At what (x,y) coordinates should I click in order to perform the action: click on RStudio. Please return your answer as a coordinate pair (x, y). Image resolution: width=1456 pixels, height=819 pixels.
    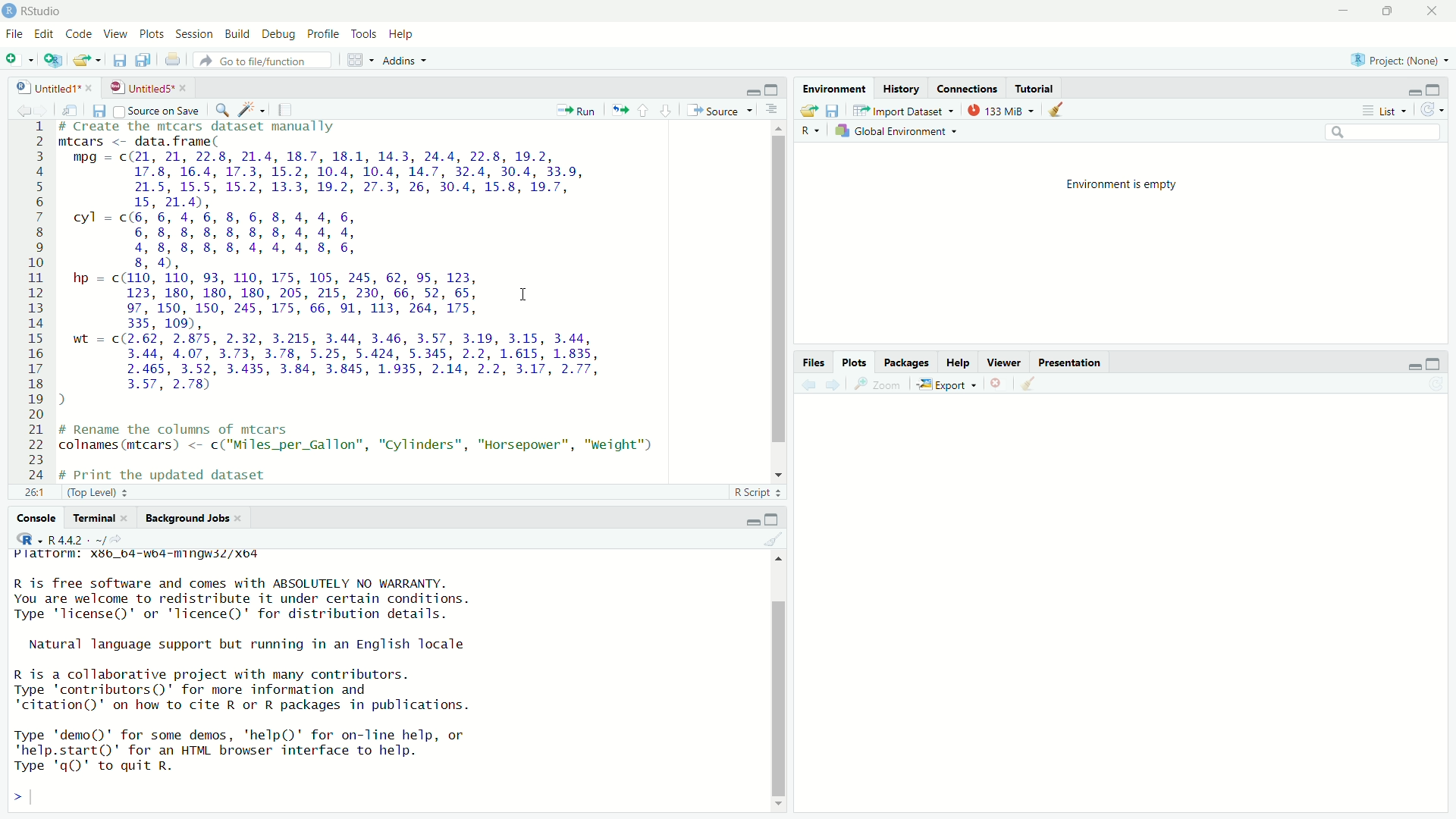
    Looking at the image, I should click on (40, 10).